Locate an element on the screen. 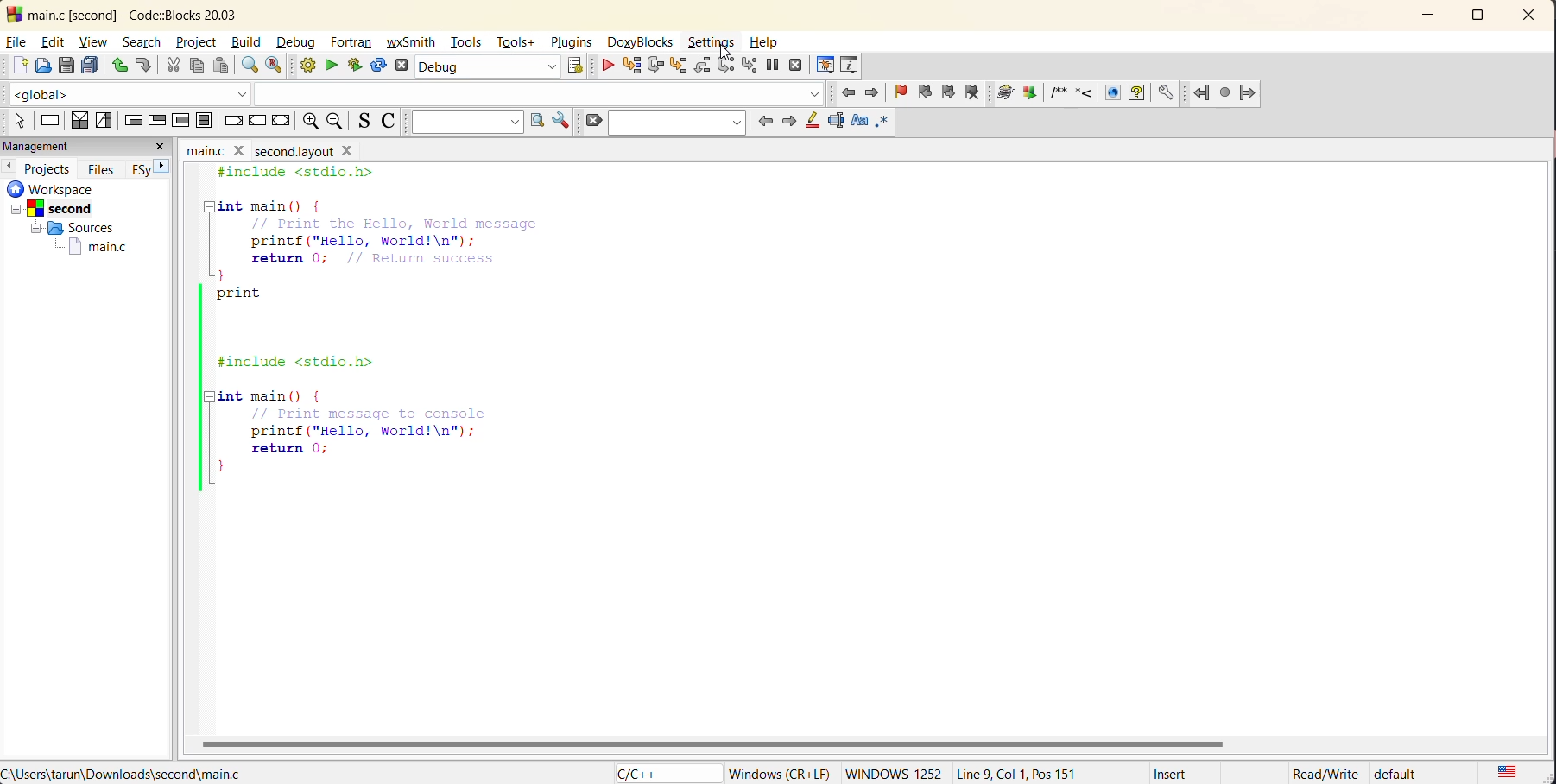 The image size is (1556, 784). Codeblock logo is located at coordinates (13, 14).